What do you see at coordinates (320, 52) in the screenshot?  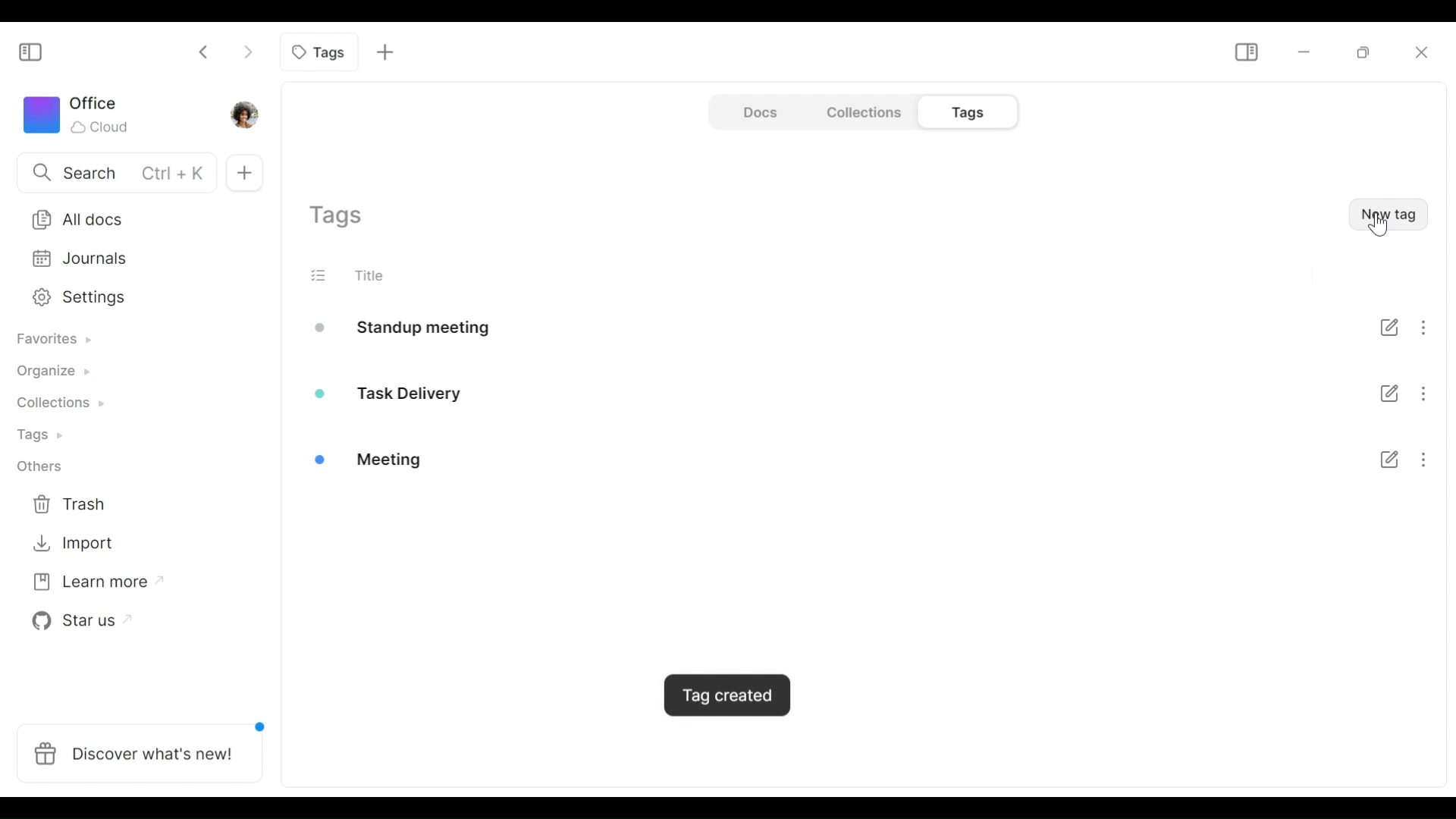 I see `Current tab` at bounding box center [320, 52].